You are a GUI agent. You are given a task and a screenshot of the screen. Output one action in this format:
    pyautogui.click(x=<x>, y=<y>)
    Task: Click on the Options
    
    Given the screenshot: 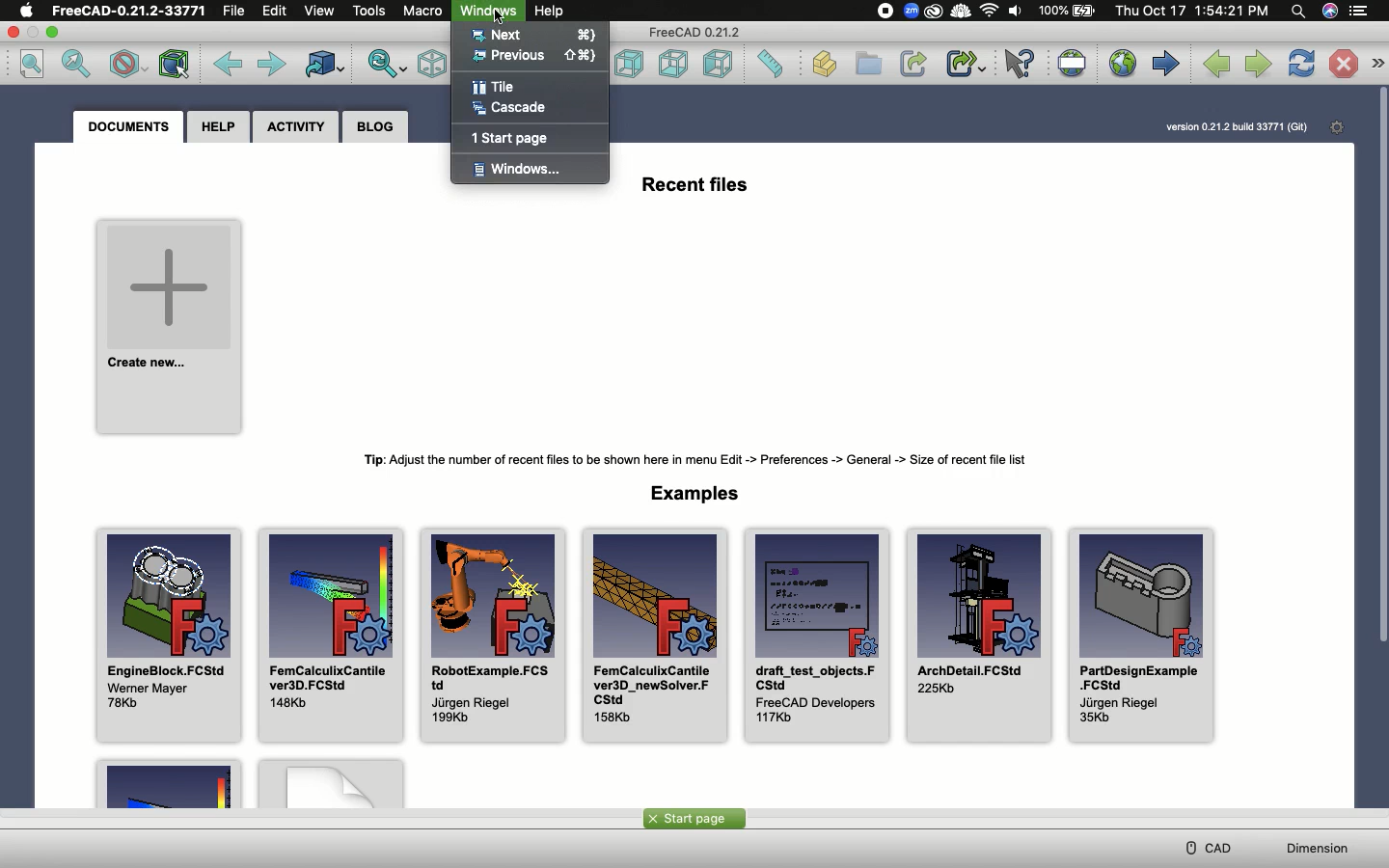 What is the action you would take?
    pyautogui.click(x=1362, y=12)
    